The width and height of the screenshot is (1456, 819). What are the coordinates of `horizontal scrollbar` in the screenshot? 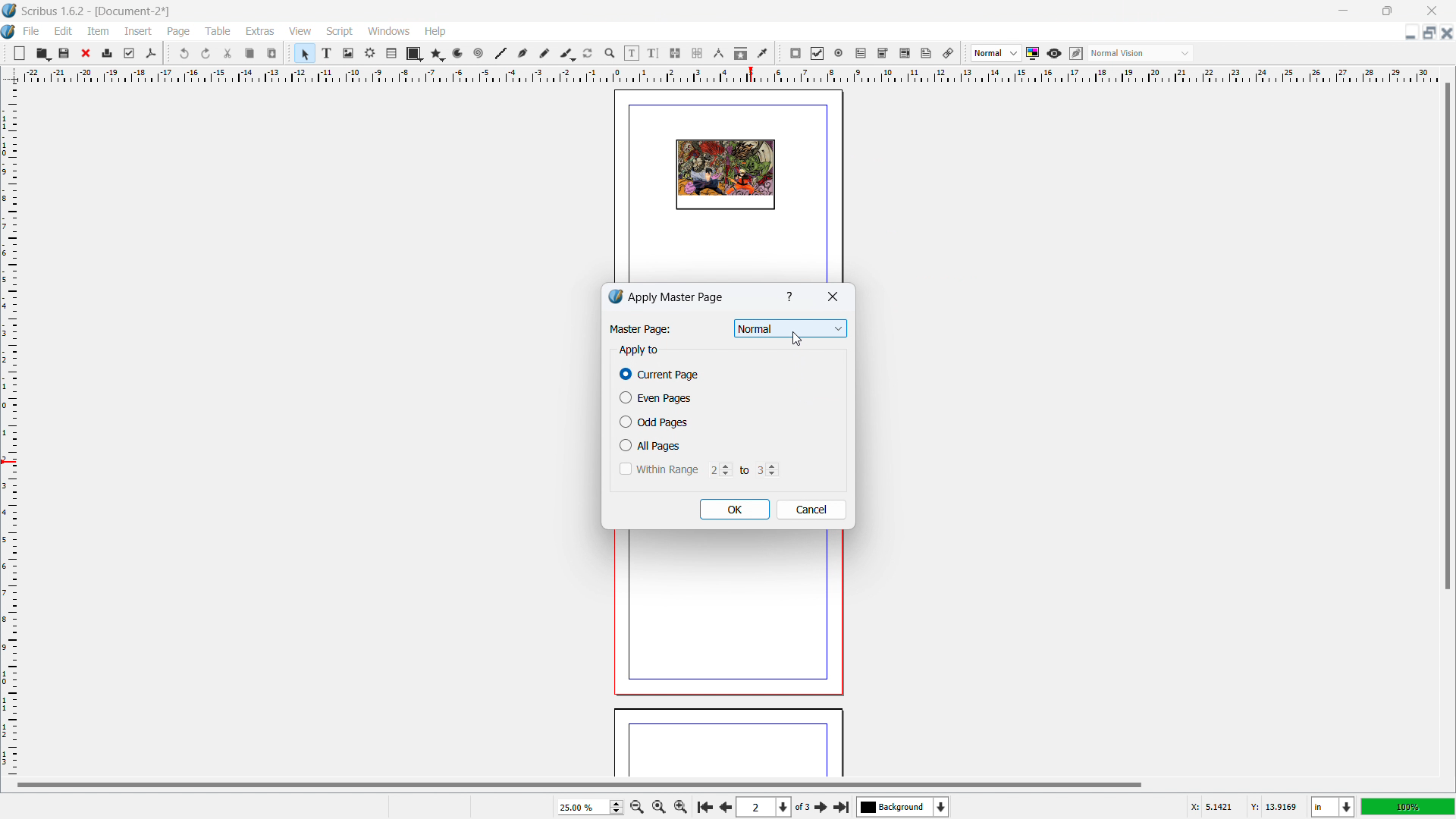 It's located at (579, 784).